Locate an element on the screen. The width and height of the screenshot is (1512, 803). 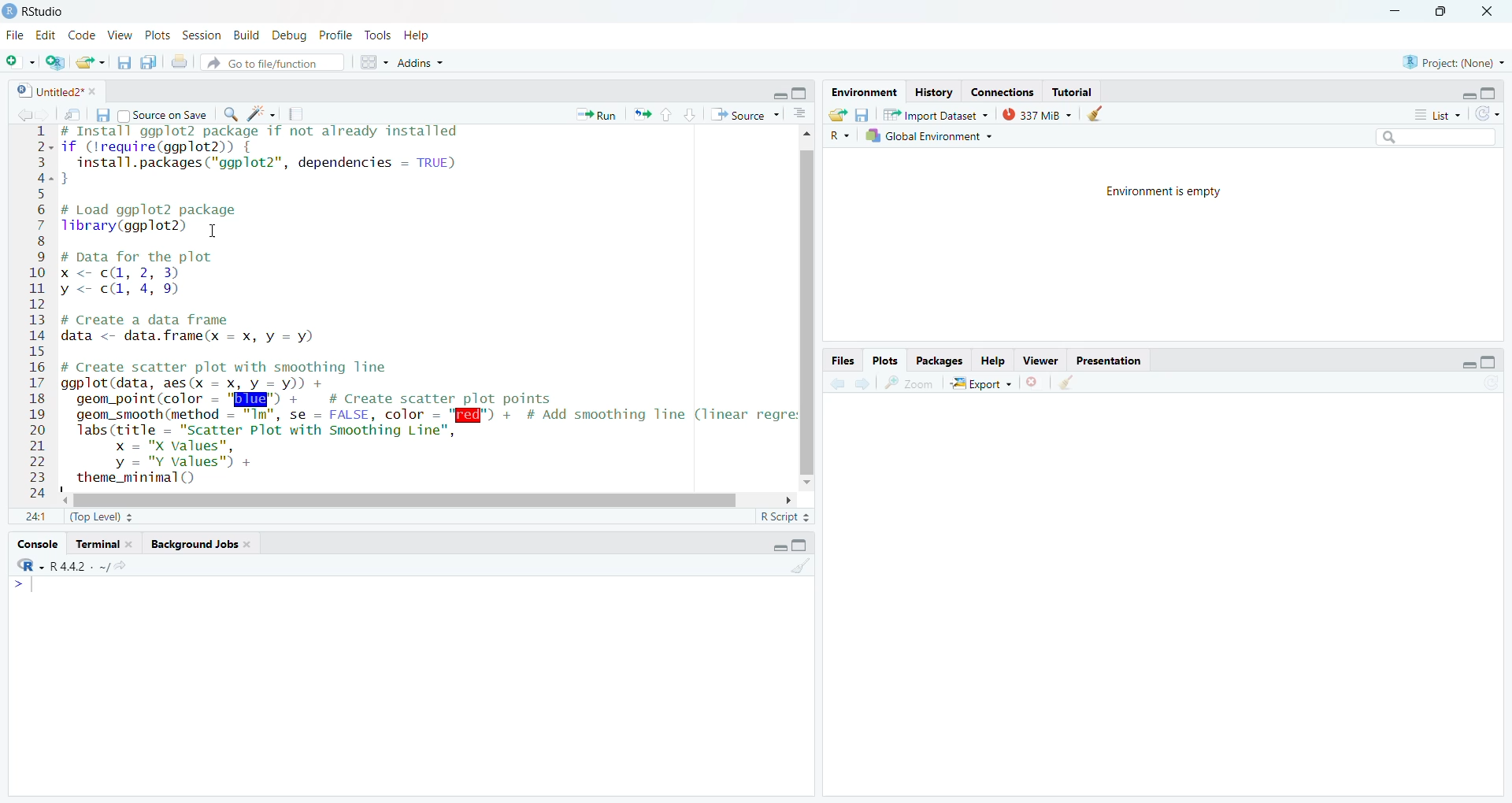
go forward is located at coordinates (864, 384).